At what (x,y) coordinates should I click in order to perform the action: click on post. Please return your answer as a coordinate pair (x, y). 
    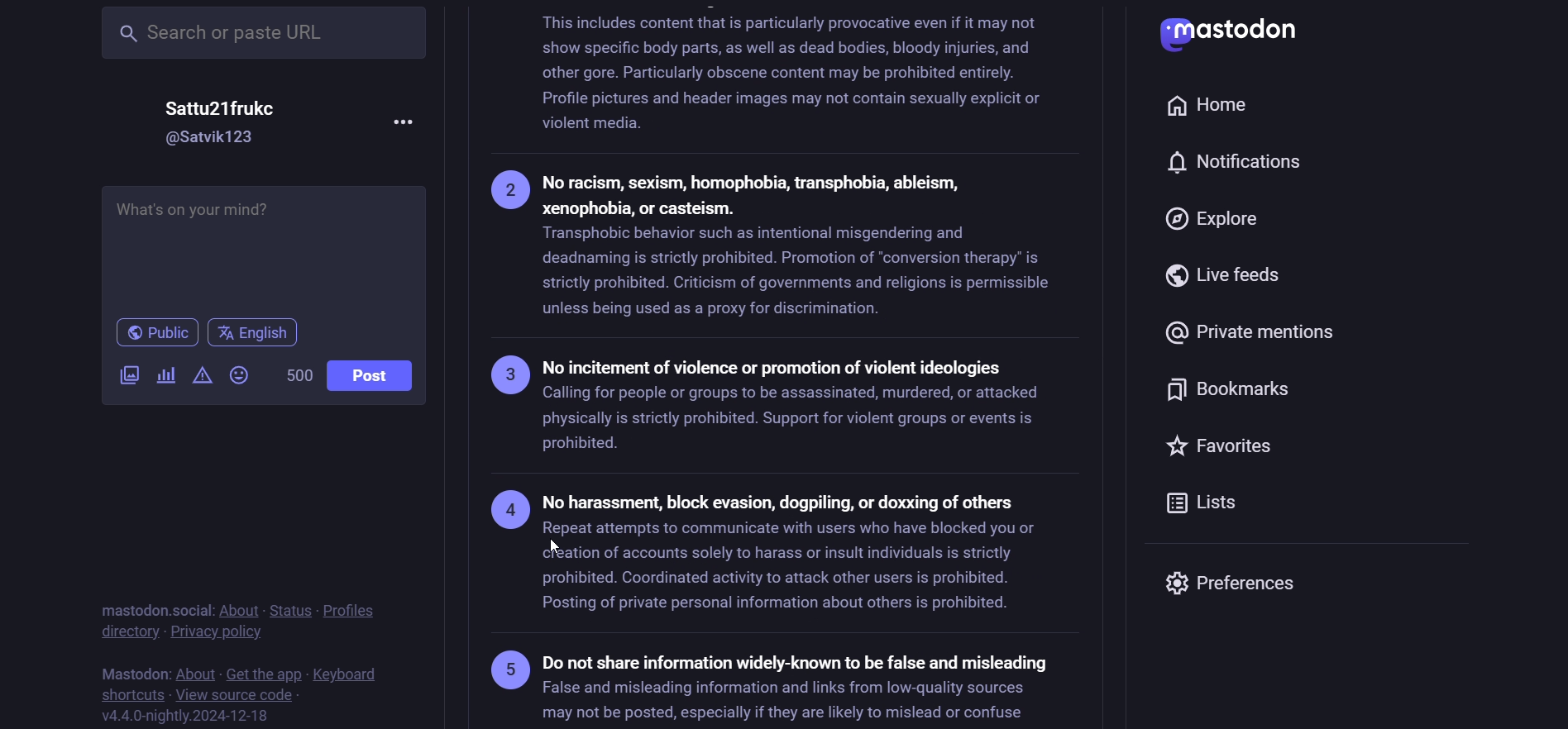
    Looking at the image, I should click on (377, 375).